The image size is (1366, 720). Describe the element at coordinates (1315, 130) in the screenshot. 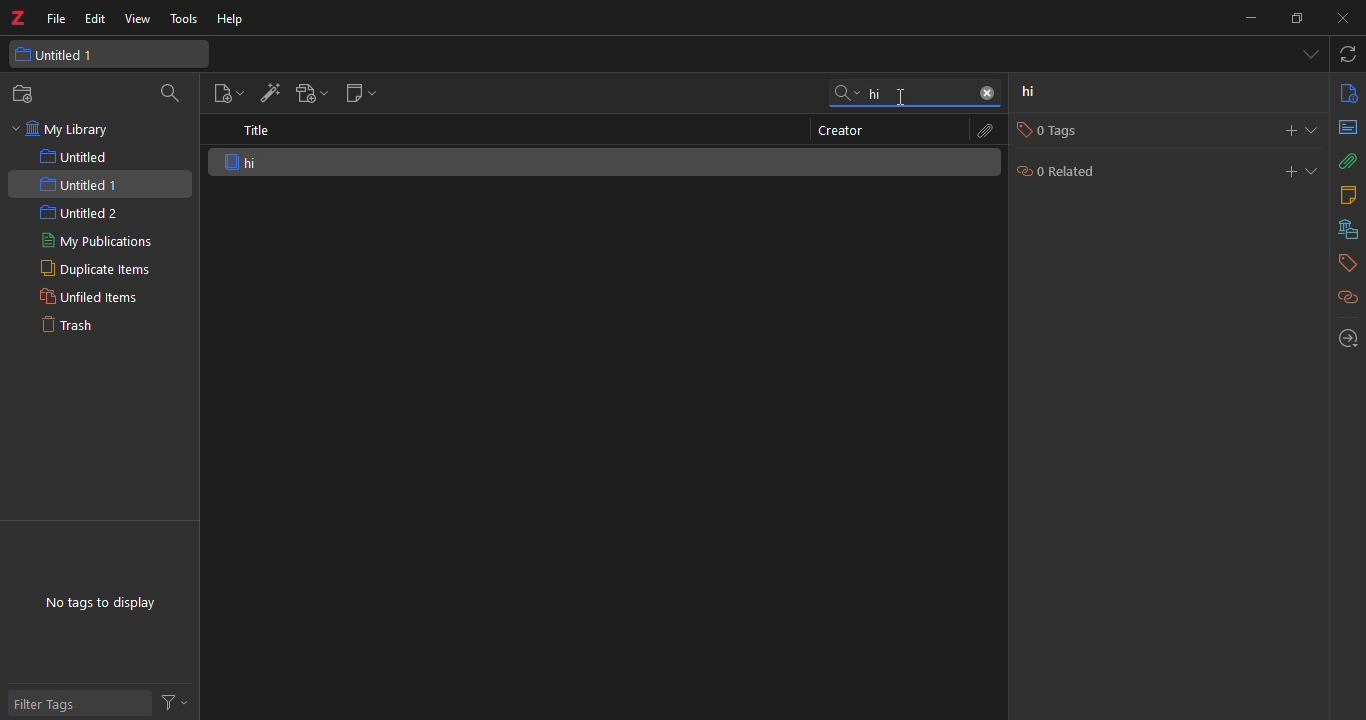

I see `expand` at that location.